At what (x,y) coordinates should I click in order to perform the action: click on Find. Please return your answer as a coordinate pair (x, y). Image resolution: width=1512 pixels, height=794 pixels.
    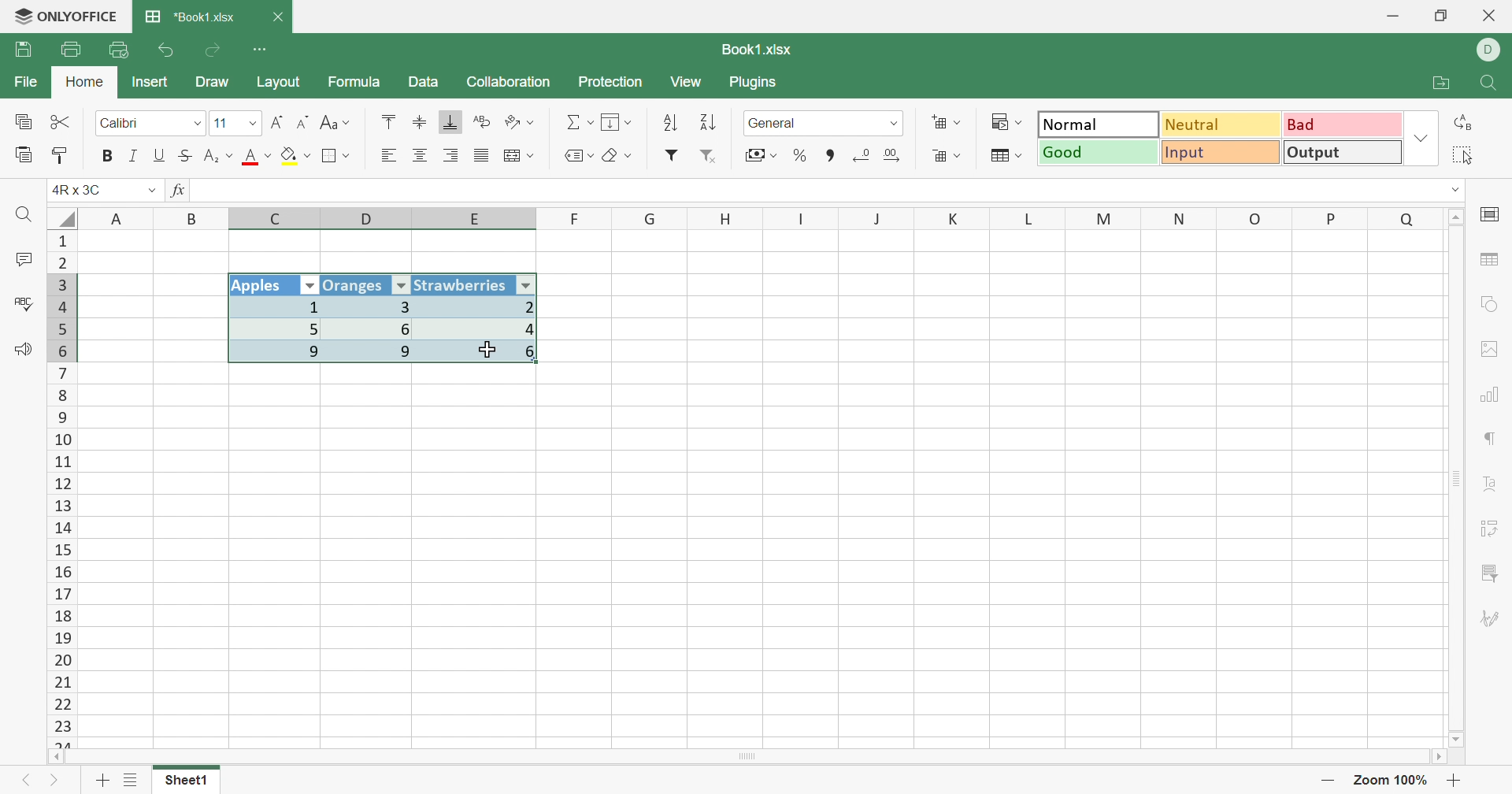
    Looking at the image, I should click on (27, 216).